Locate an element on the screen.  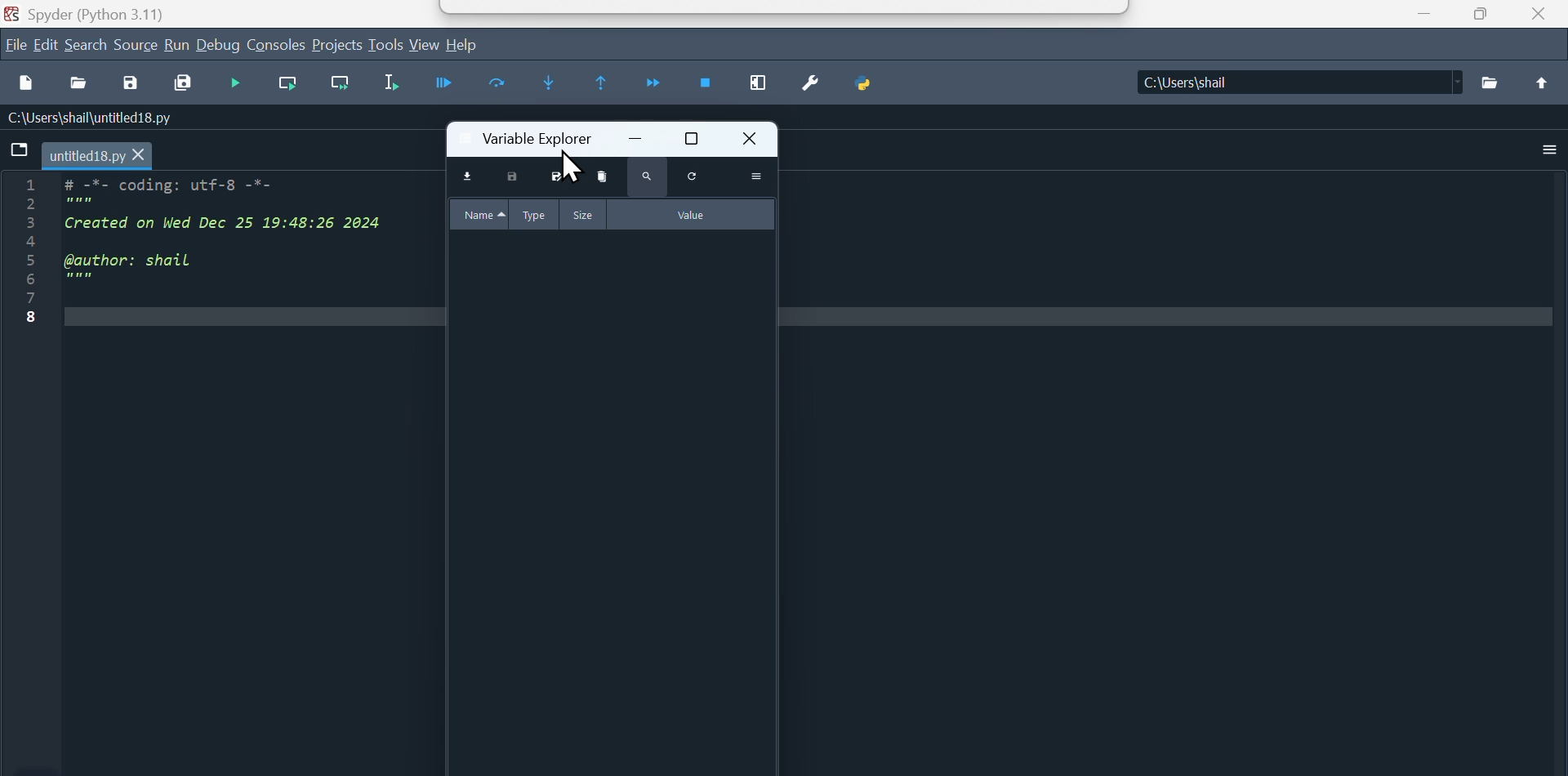
Open is located at coordinates (82, 85).